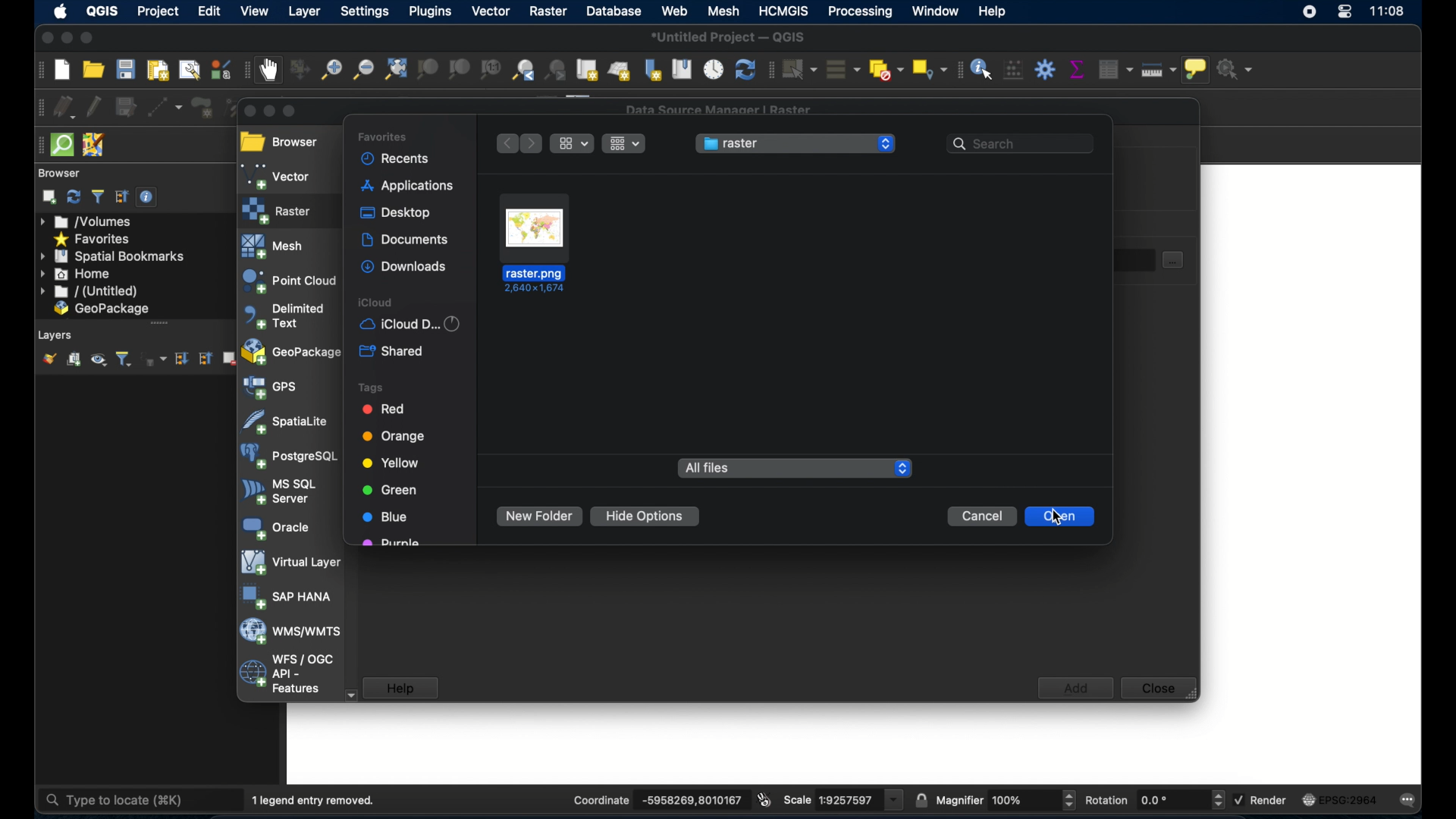 This screenshot has width=1456, height=819. I want to click on processing, so click(858, 11).